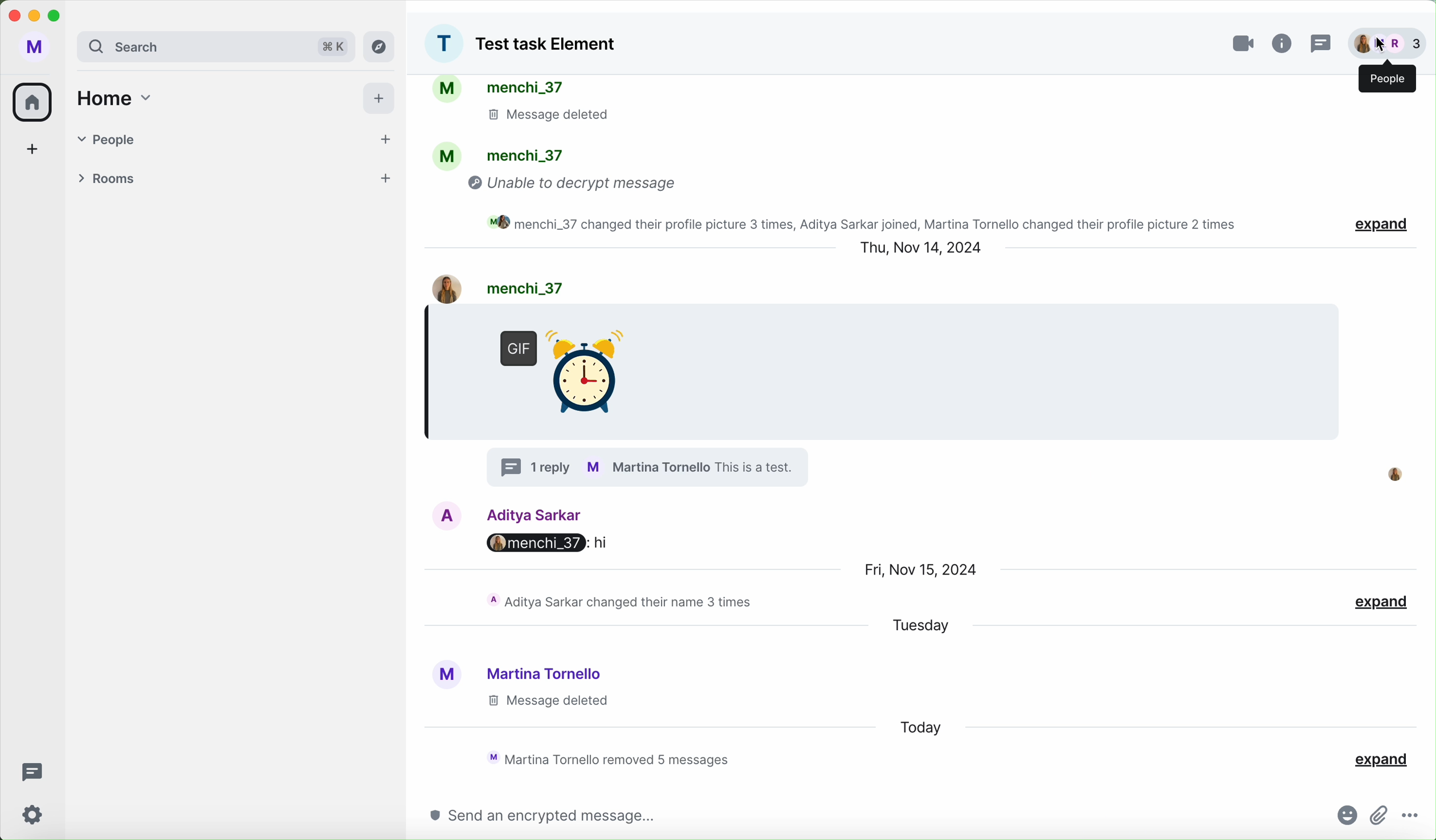 The height and width of the screenshot is (840, 1436). I want to click on maximize, so click(58, 16).